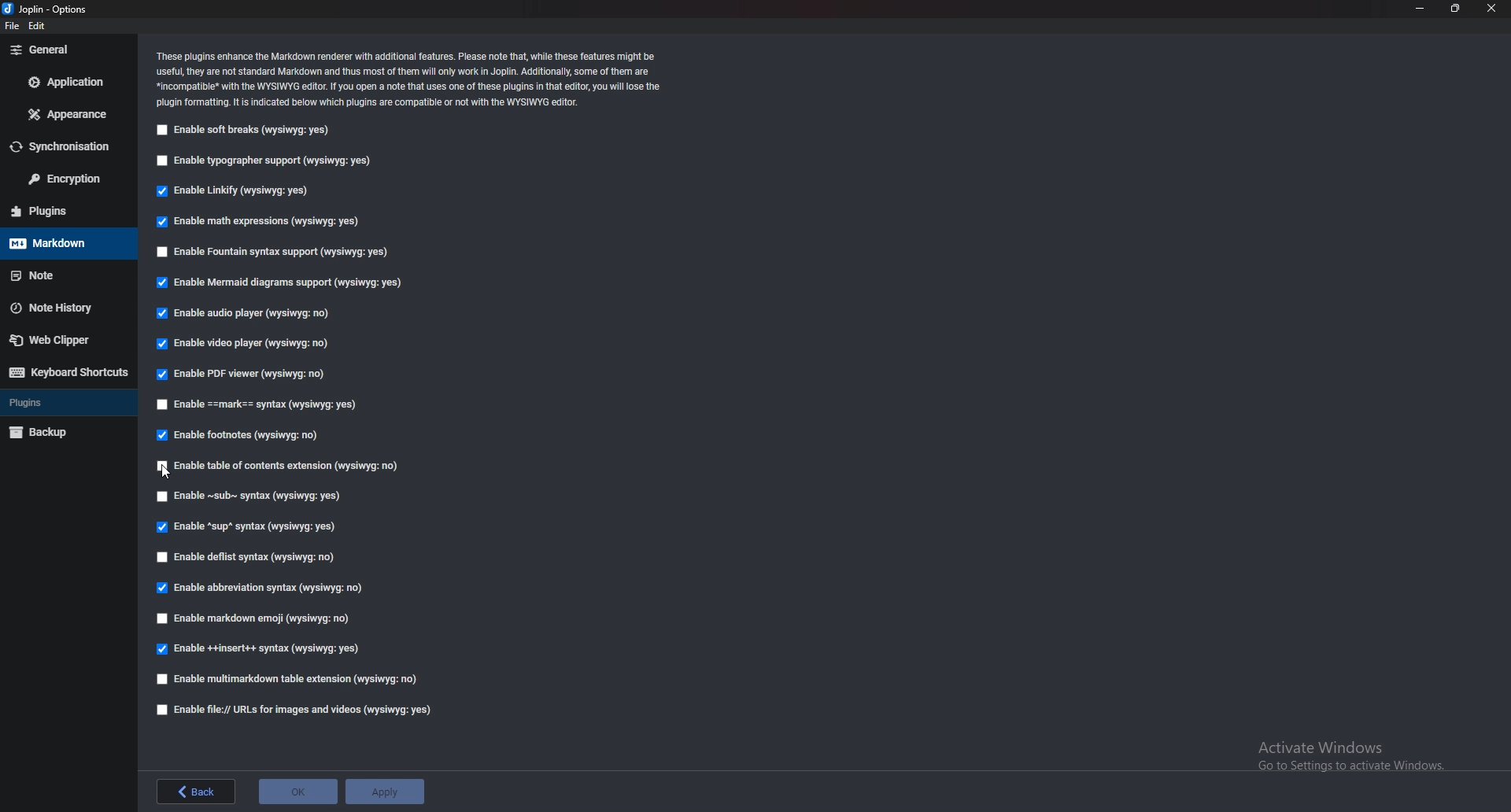 The image size is (1511, 812). Describe the element at coordinates (36, 26) in the screenshot. I see `edit` at that location.